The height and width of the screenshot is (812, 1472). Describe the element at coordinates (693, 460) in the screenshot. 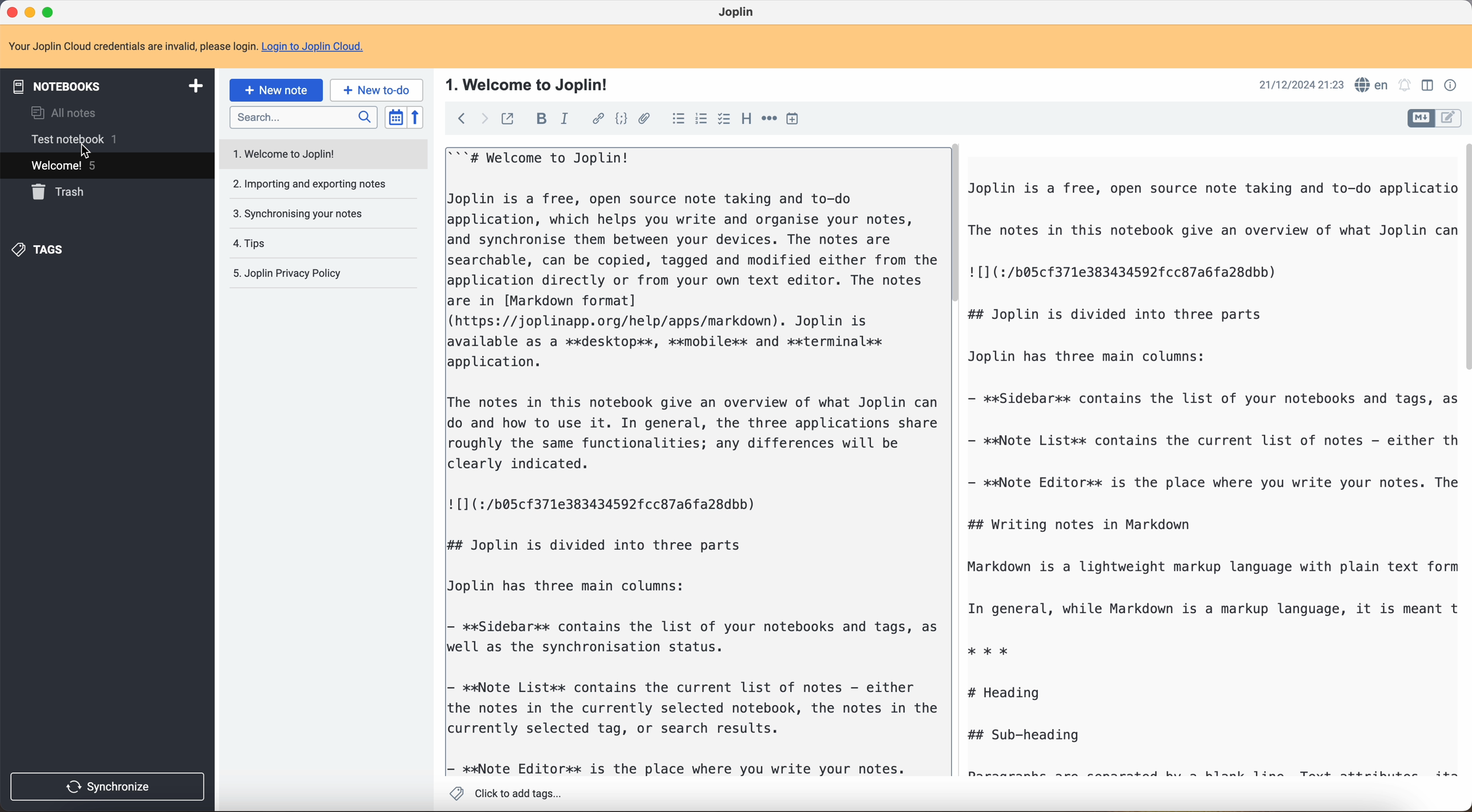

I see `body text` at that location.